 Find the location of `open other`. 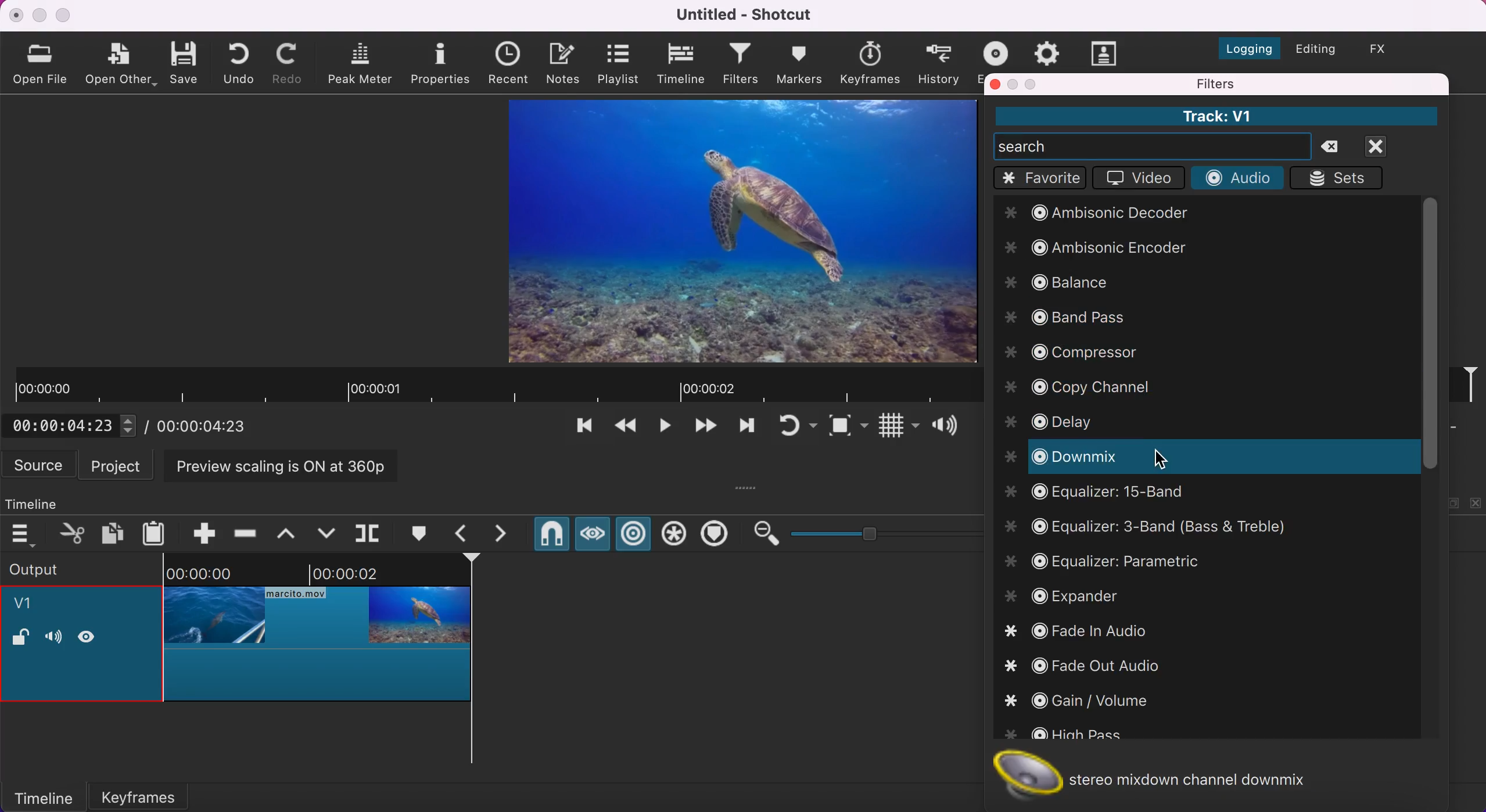

open other is located at coordinates (121, 65).